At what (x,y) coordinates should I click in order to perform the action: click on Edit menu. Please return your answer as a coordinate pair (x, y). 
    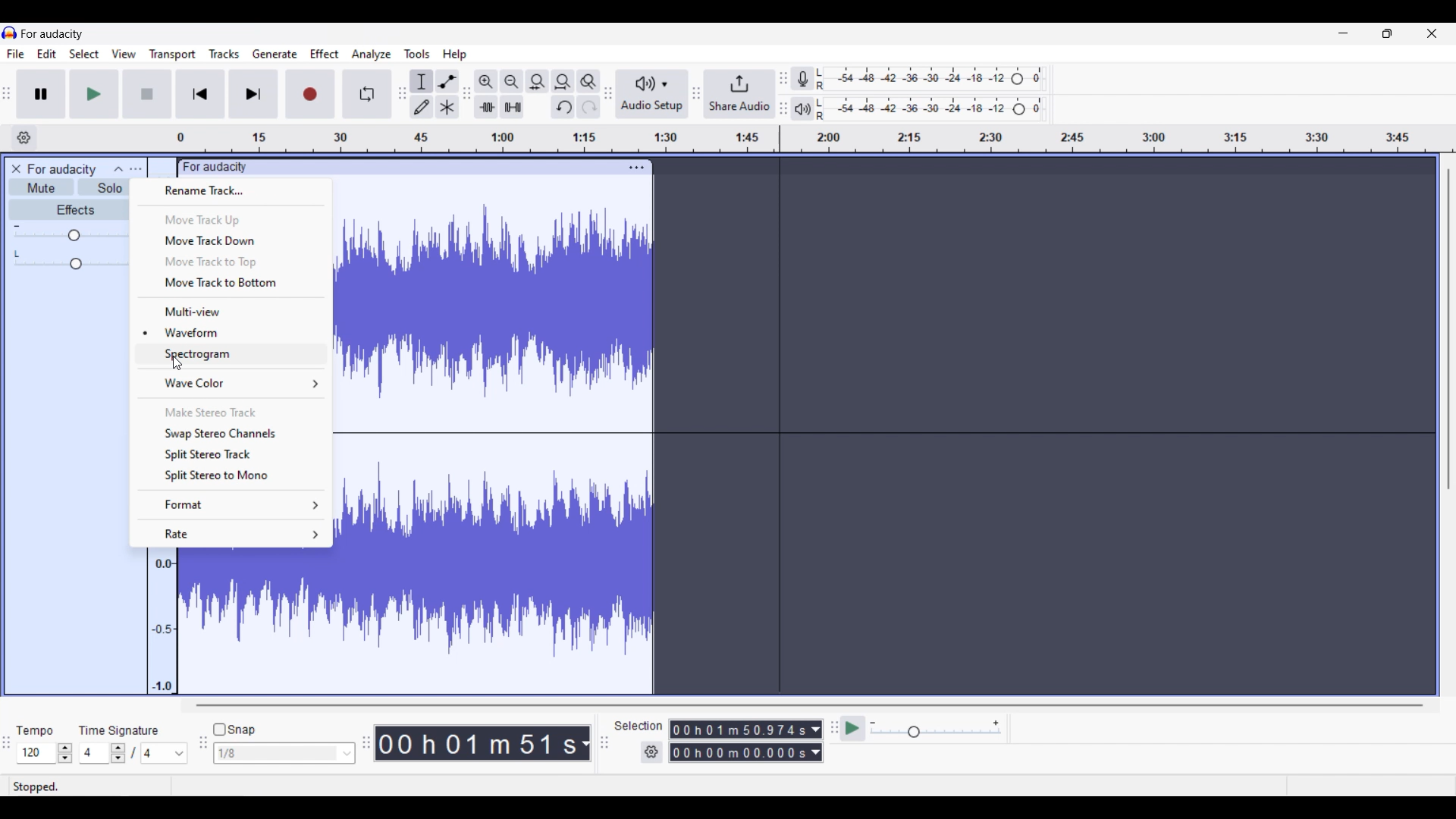
    Looking at the image, I should click on (47, 54).